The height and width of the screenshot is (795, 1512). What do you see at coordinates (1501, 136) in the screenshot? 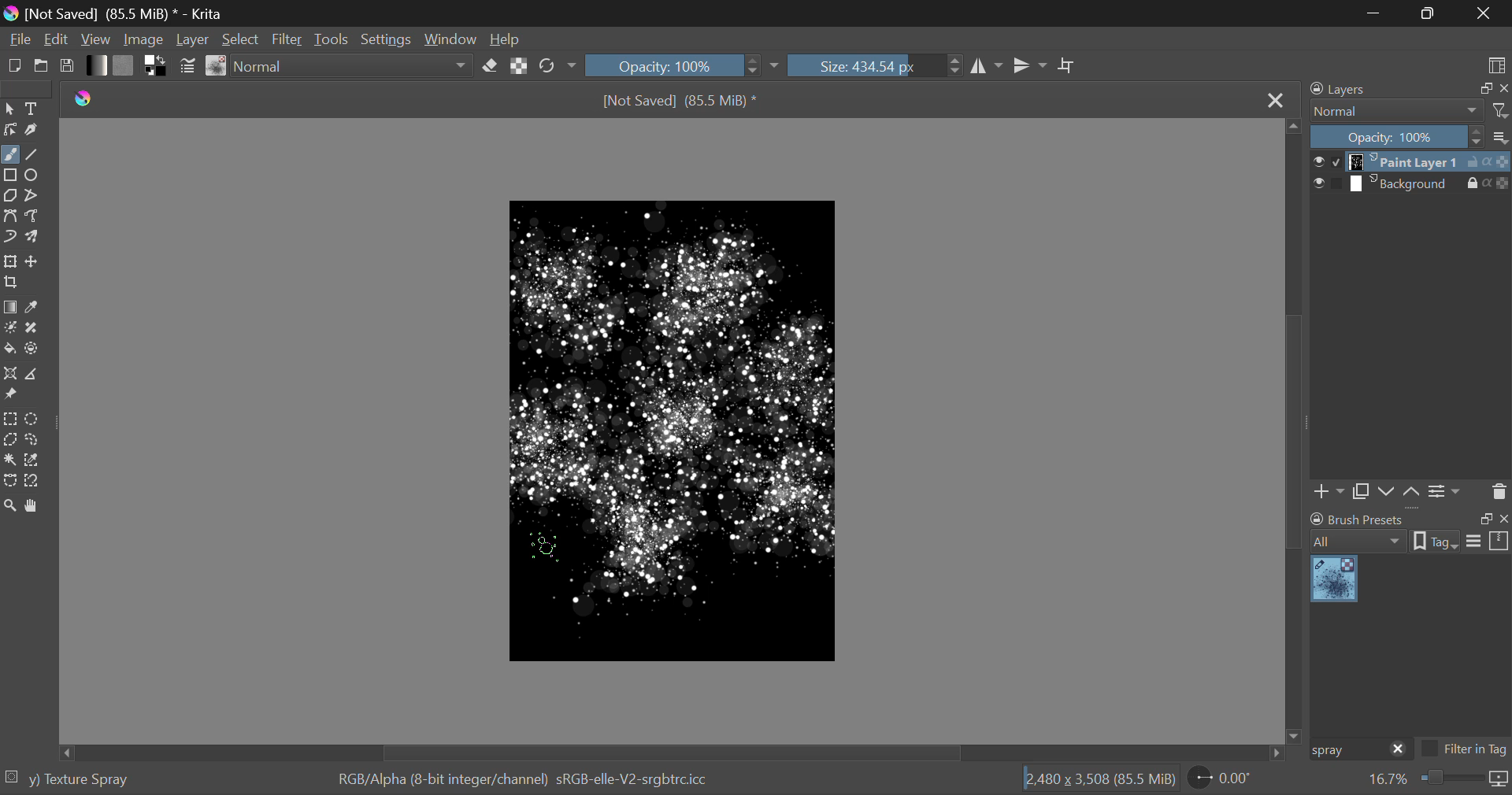
I see `more` at bounding box center [1501, 136].